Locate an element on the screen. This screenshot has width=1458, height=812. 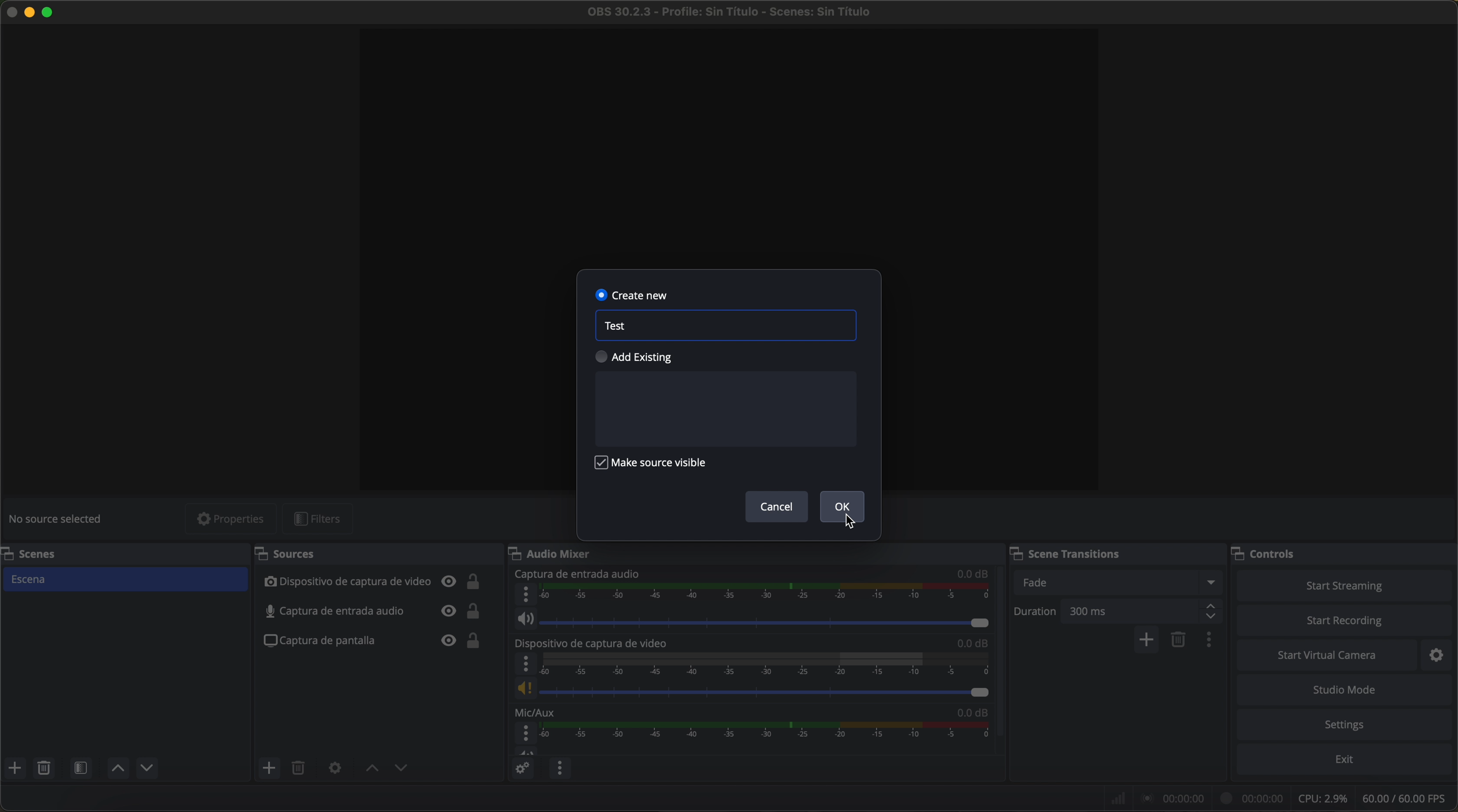
controls is located at coordinates (1274, 551).